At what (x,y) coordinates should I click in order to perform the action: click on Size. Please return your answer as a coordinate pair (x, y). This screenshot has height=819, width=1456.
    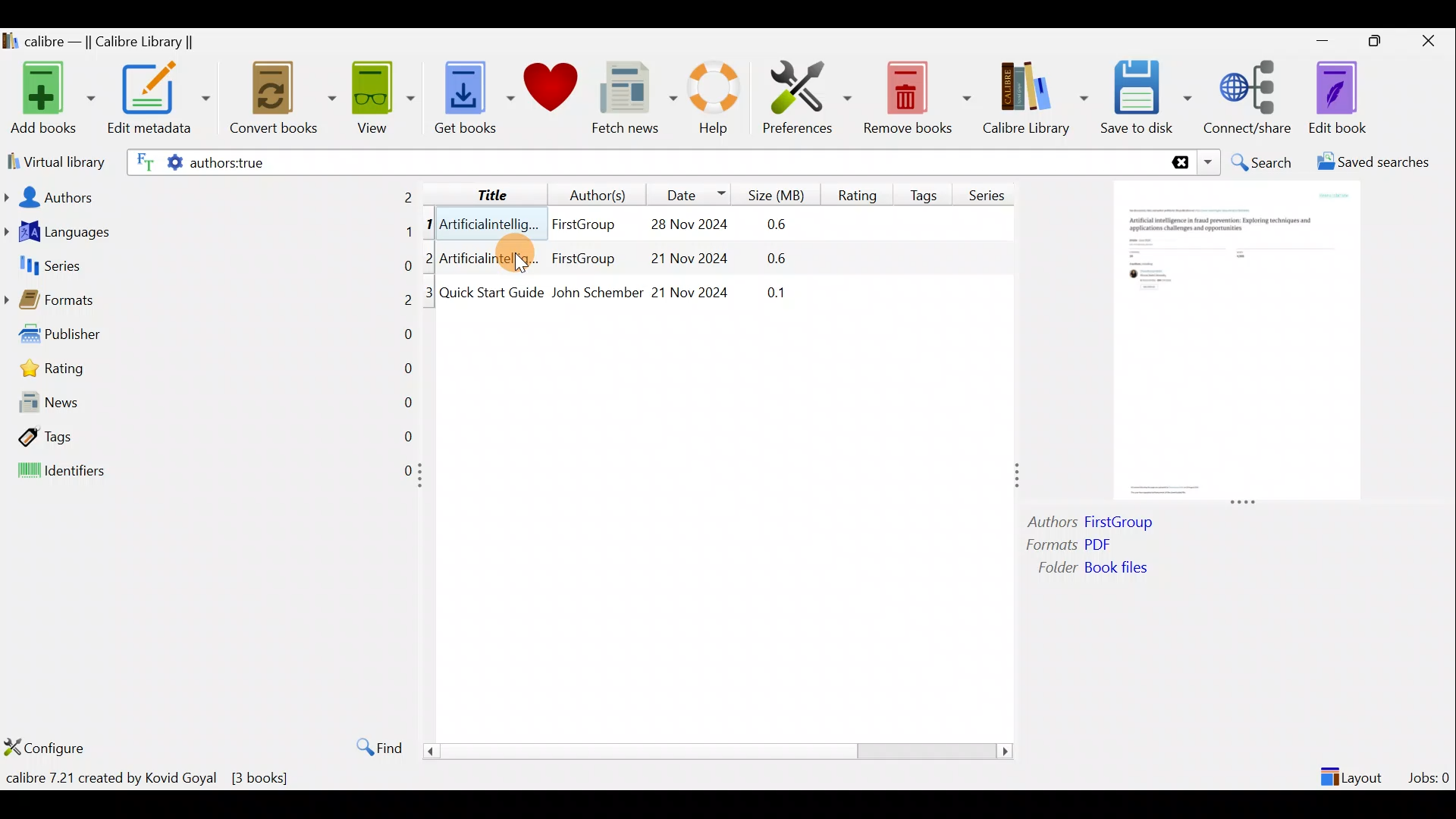
    Looking at the image, I should click on (780, 193).